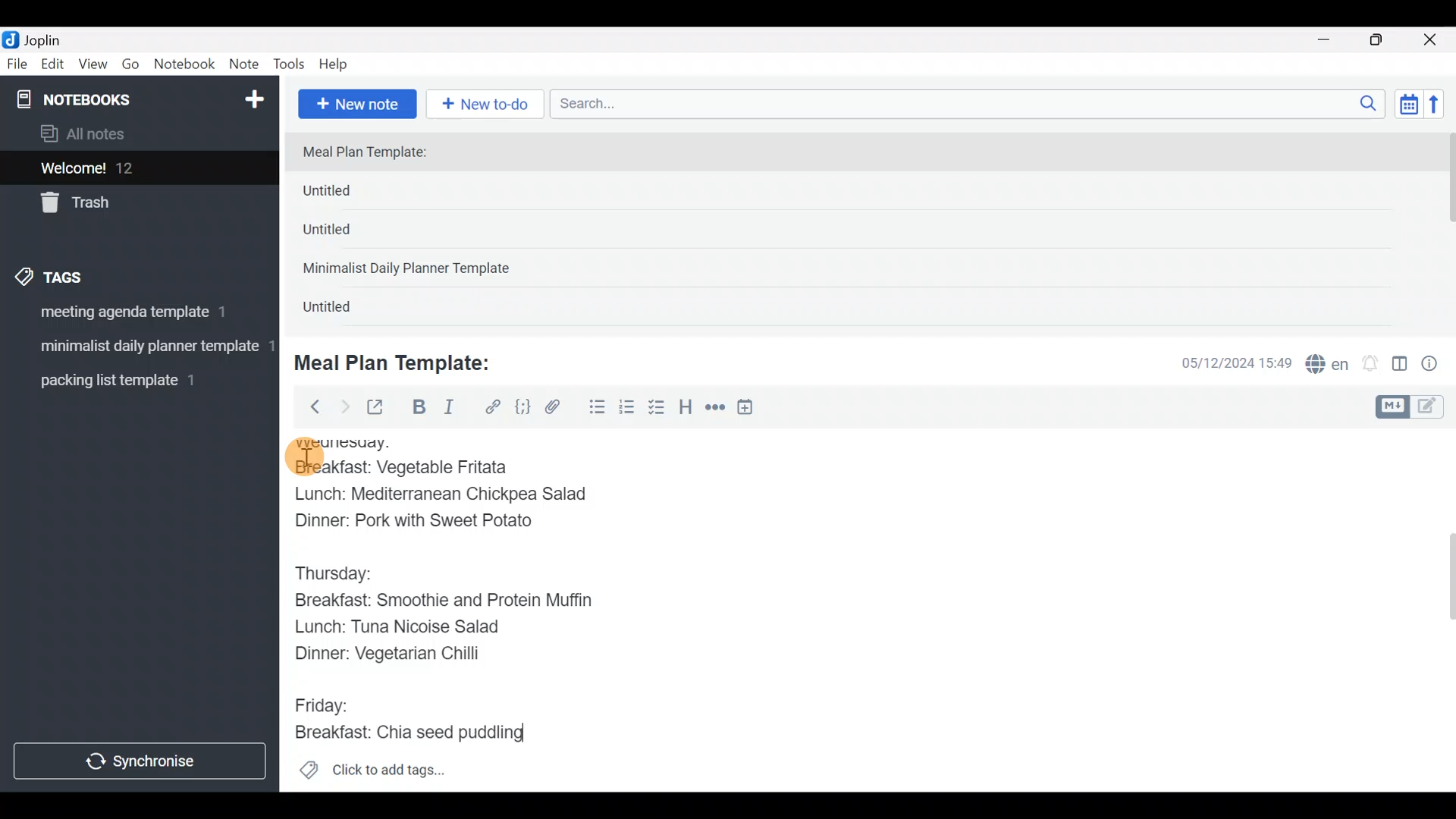 The image size is (1456, 819). I want to click on Tag 3, so click(134, 380).